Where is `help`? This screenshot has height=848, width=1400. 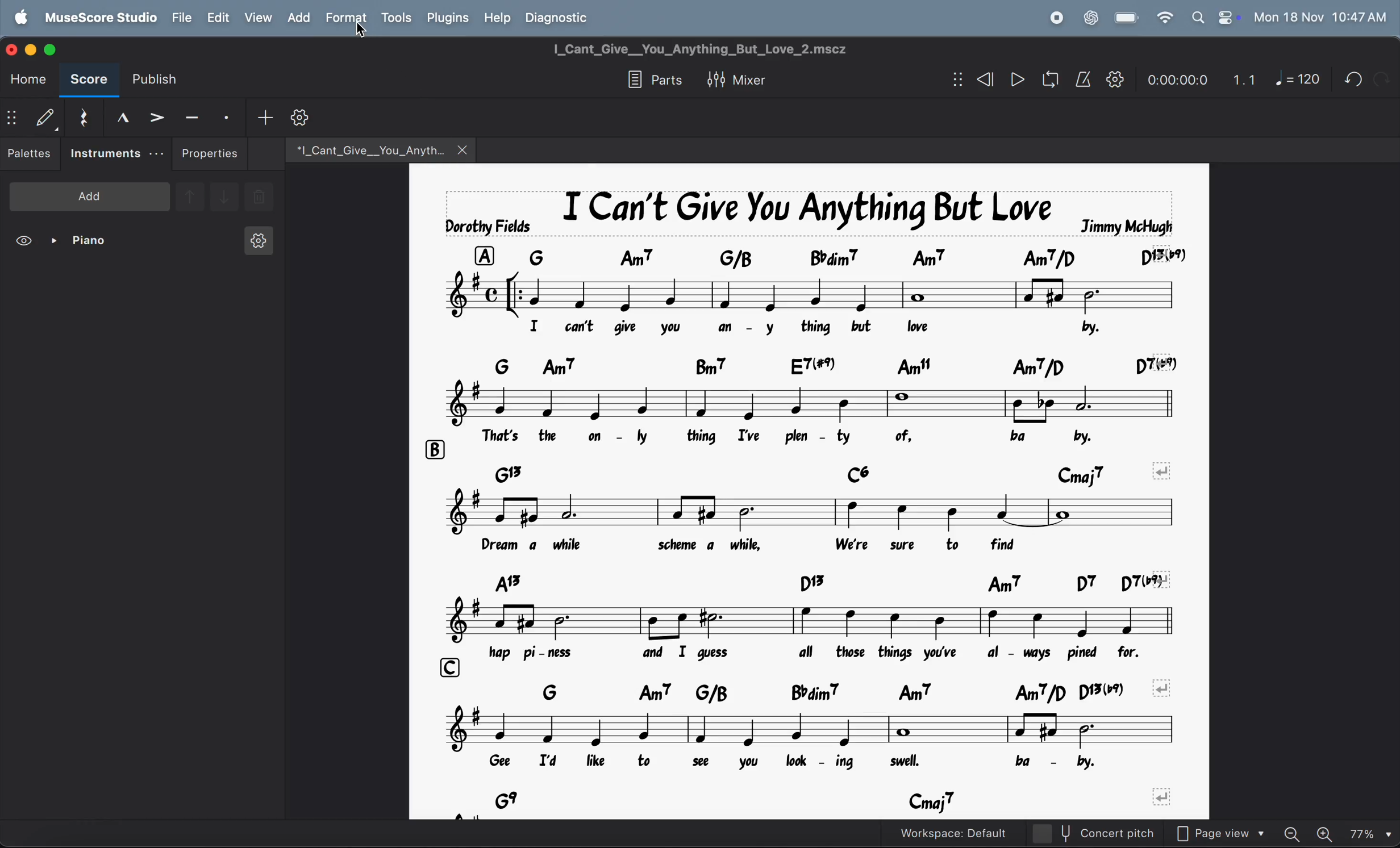 help is located at coordinates (498, 16).